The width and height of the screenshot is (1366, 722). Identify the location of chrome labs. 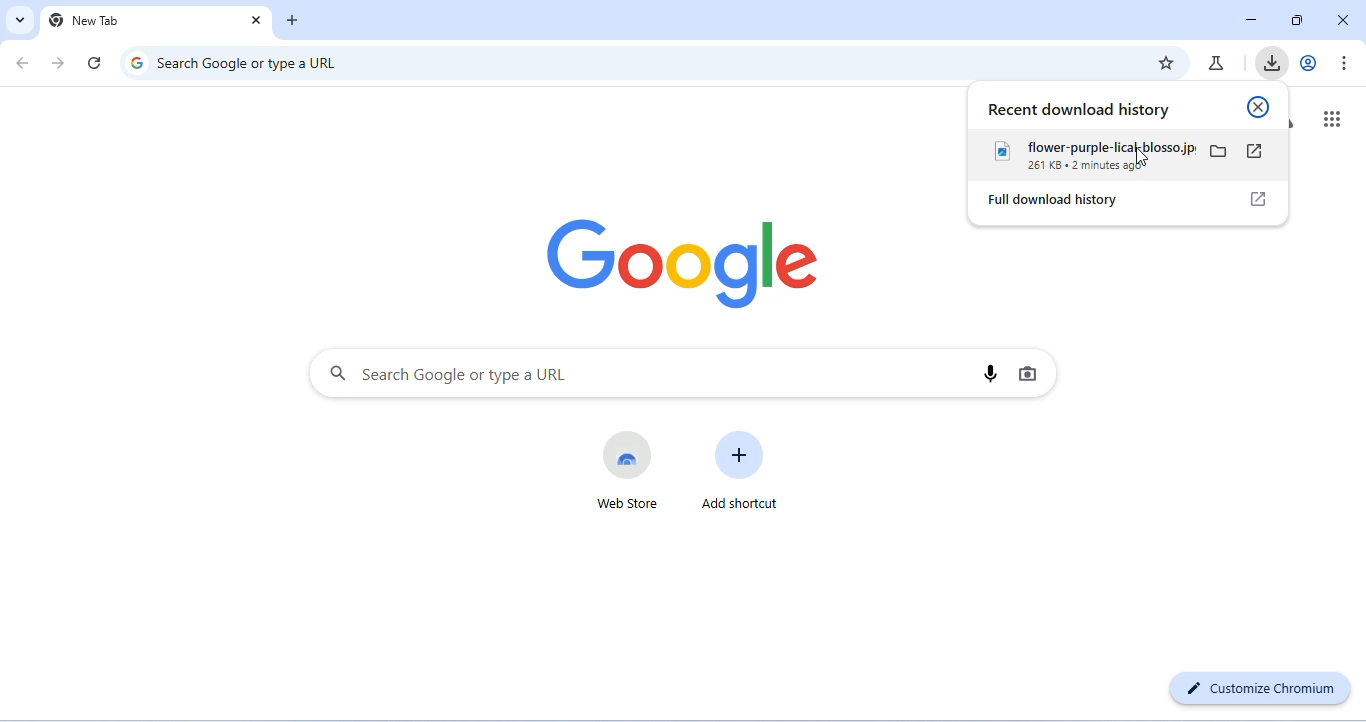
(1217, 62).